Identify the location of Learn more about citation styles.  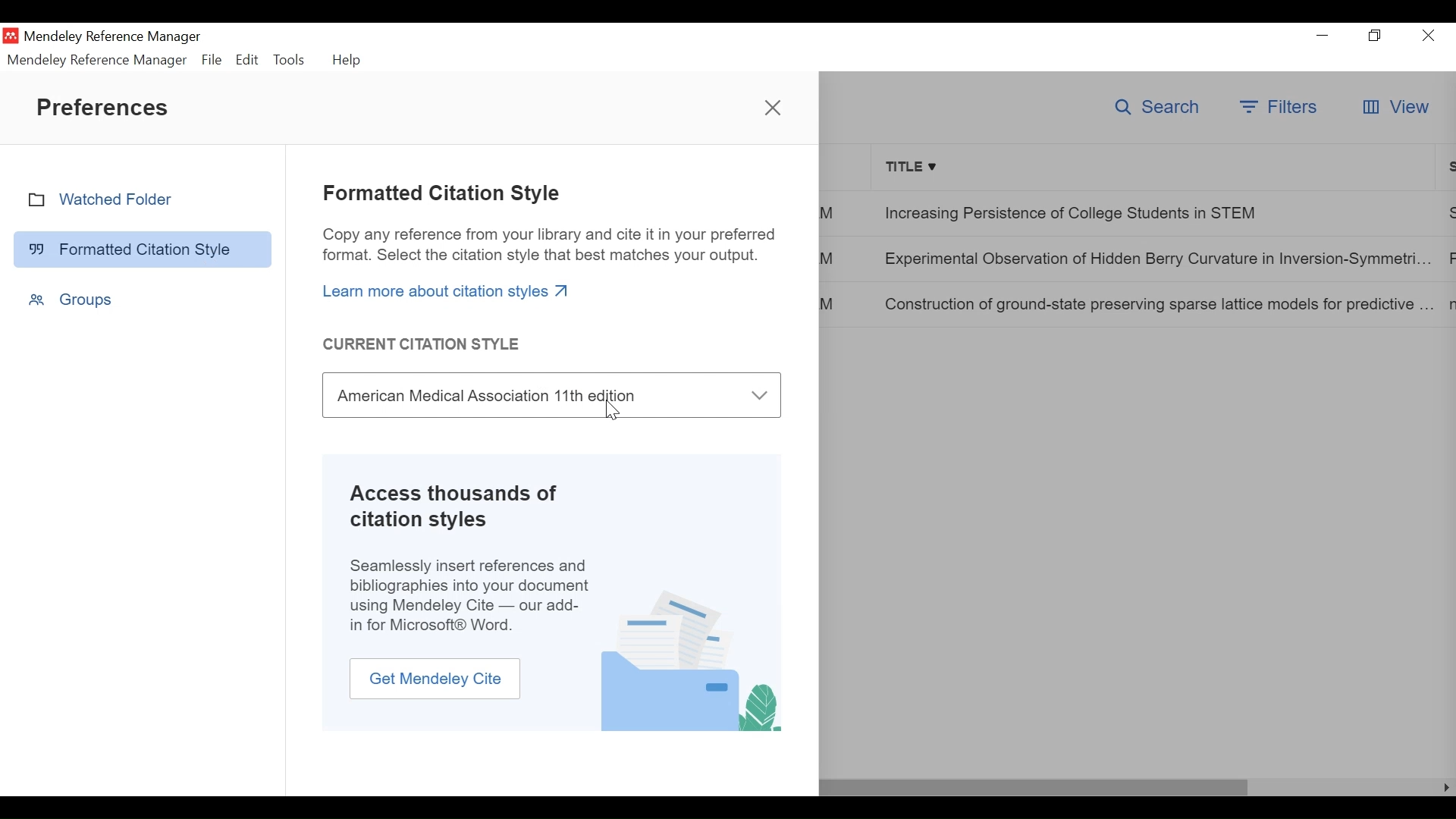
(447, 290).